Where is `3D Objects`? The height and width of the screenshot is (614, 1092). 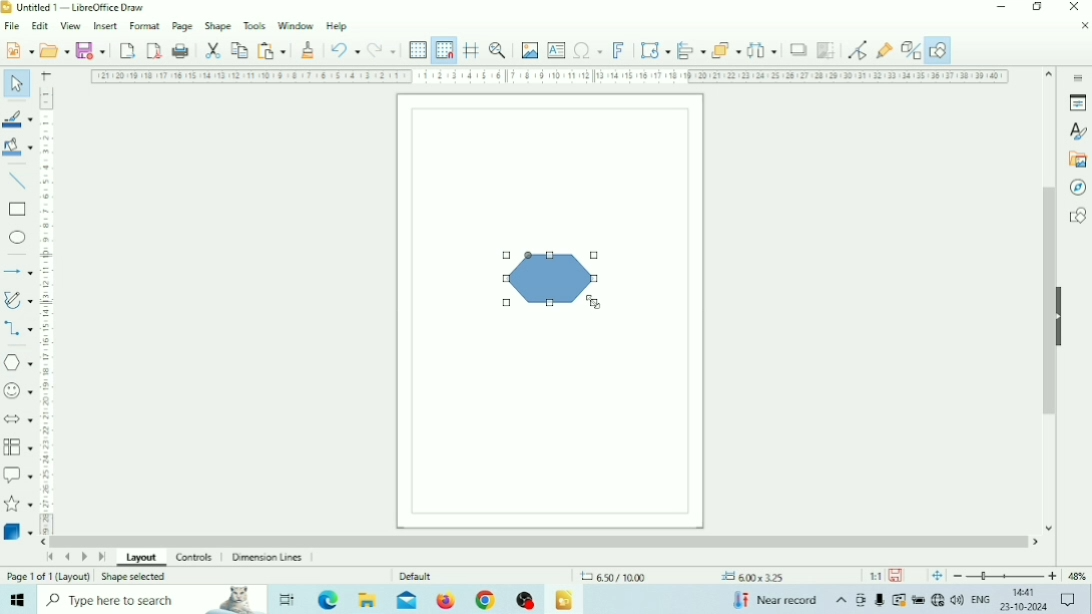 3D Objects is located at coordinates (18, 531).